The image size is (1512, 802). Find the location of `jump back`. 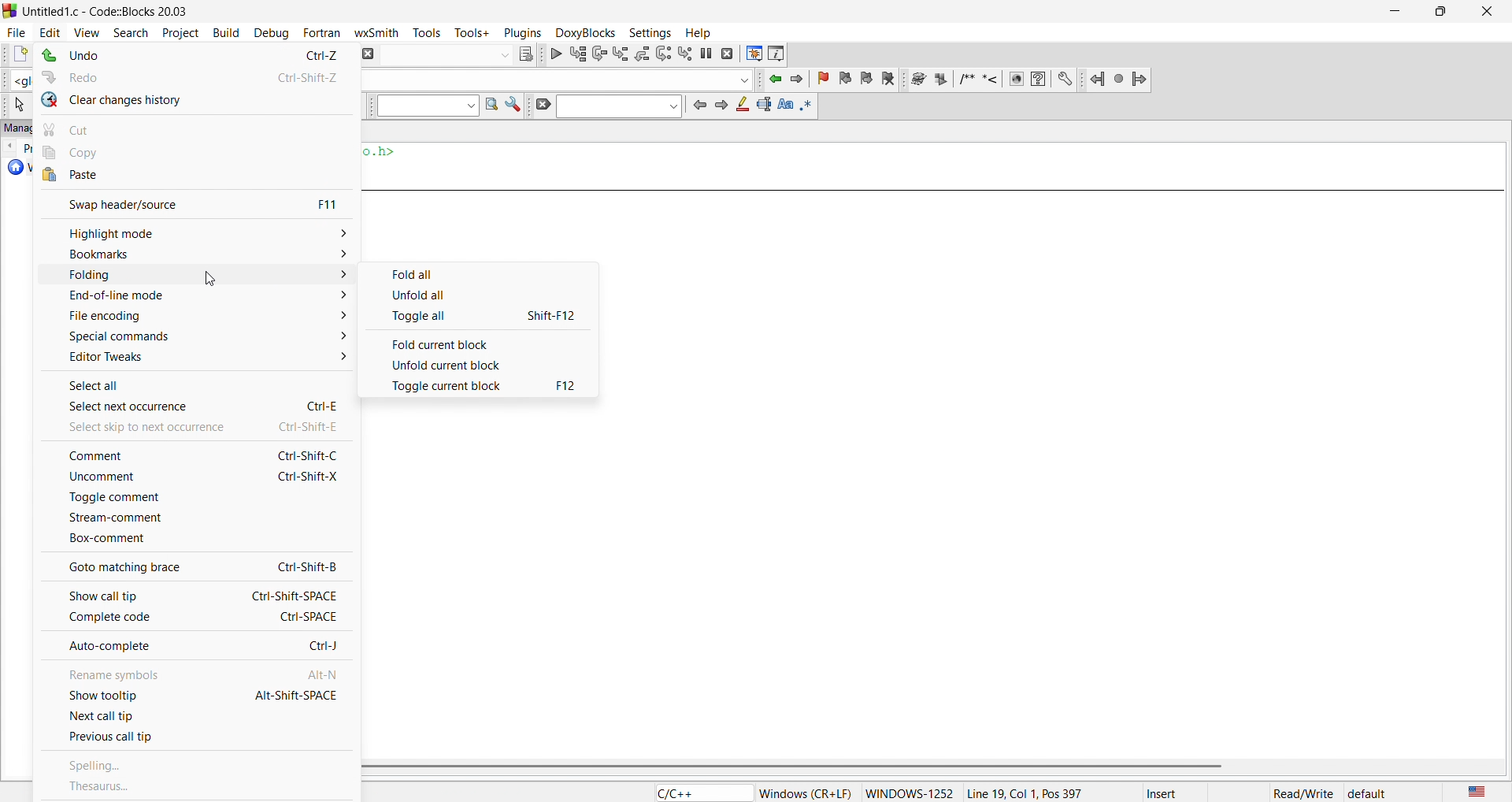

jump back is located at coordinates (1099, 79).